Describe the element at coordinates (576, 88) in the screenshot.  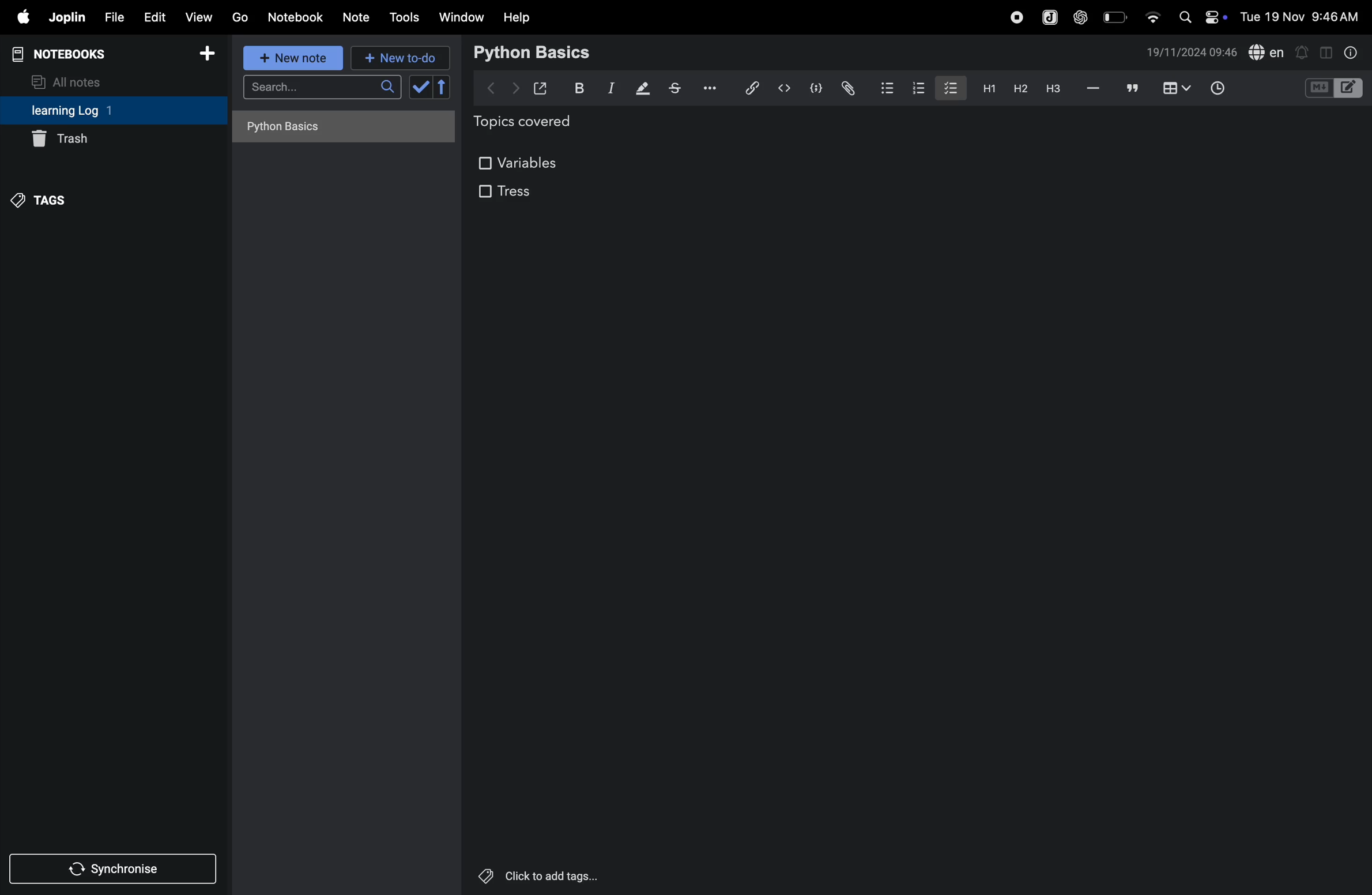
I see `bold` at that location.